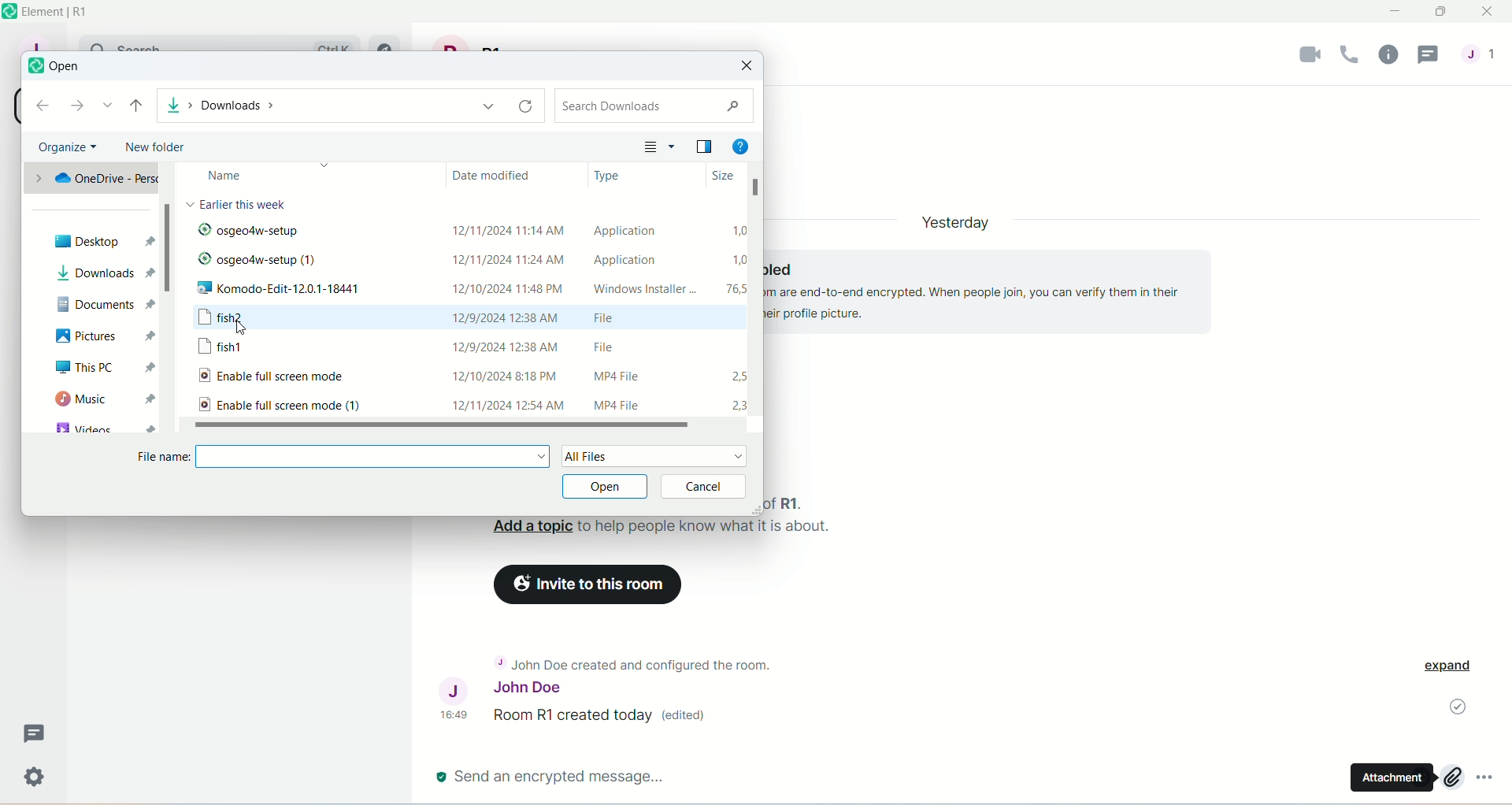 This screenshot has height=805, width=1512. What do you see at coordinates (68, 147) in the screenshot?
I see `organize` at bounding box center [68, 147].